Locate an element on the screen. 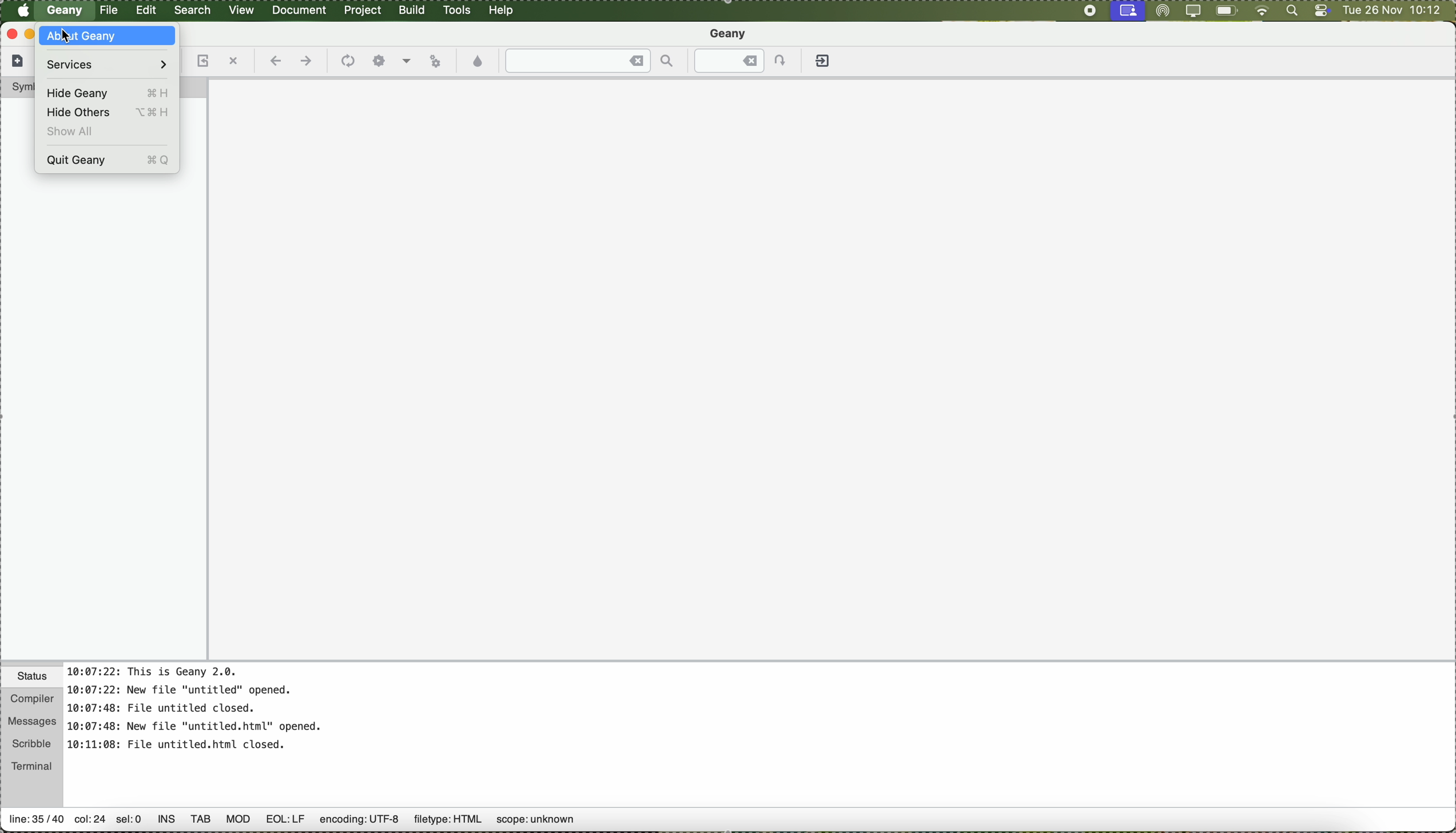 The width and height of the screenshot is (1456, 833). navigate back a location is located at coordinates (276, 62).